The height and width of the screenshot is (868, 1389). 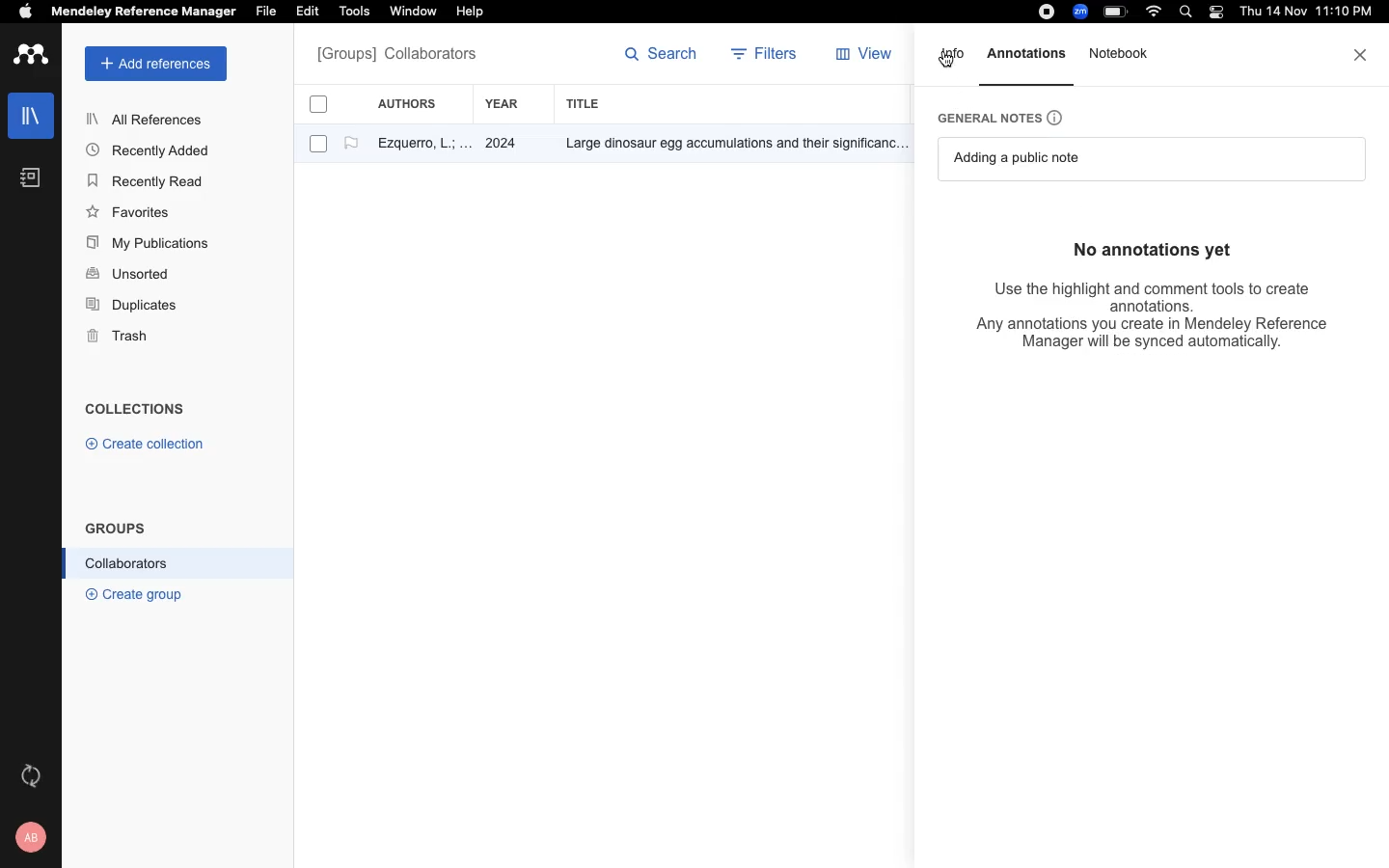 What do you see at coordinates (265, 10) in the screenshot?
I see `File` at bounding box center [265, 10].